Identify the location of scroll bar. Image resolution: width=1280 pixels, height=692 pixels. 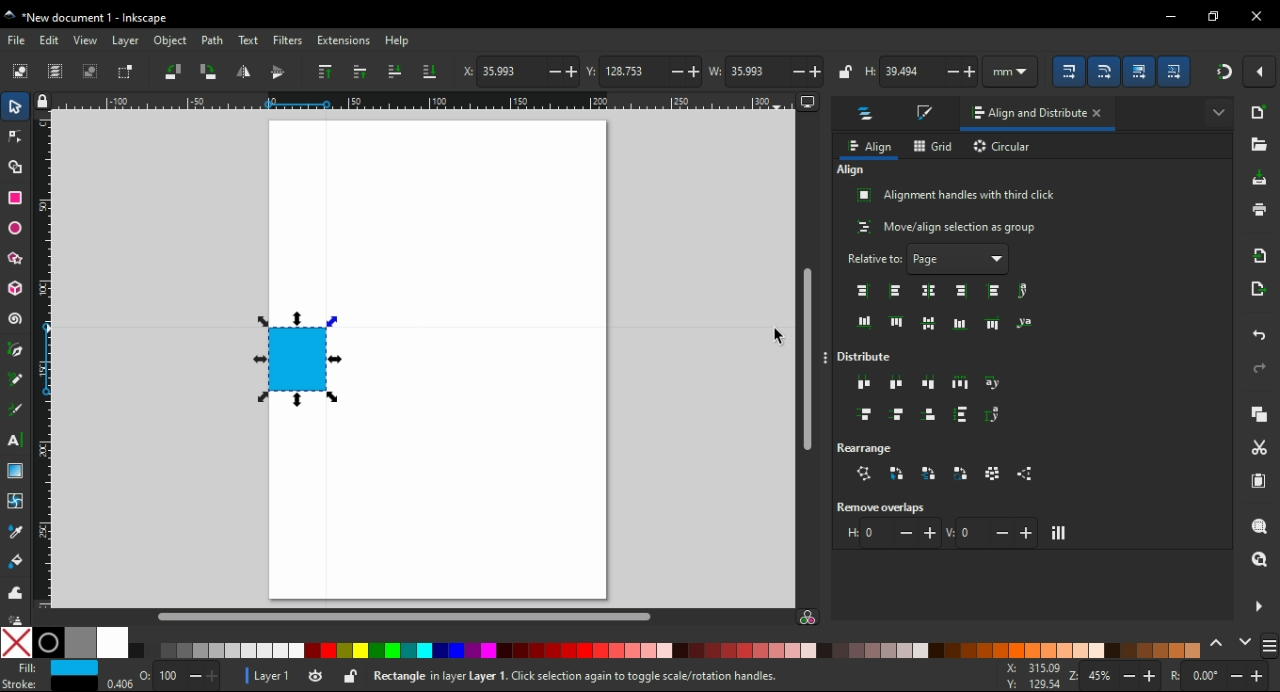
(418, 616).